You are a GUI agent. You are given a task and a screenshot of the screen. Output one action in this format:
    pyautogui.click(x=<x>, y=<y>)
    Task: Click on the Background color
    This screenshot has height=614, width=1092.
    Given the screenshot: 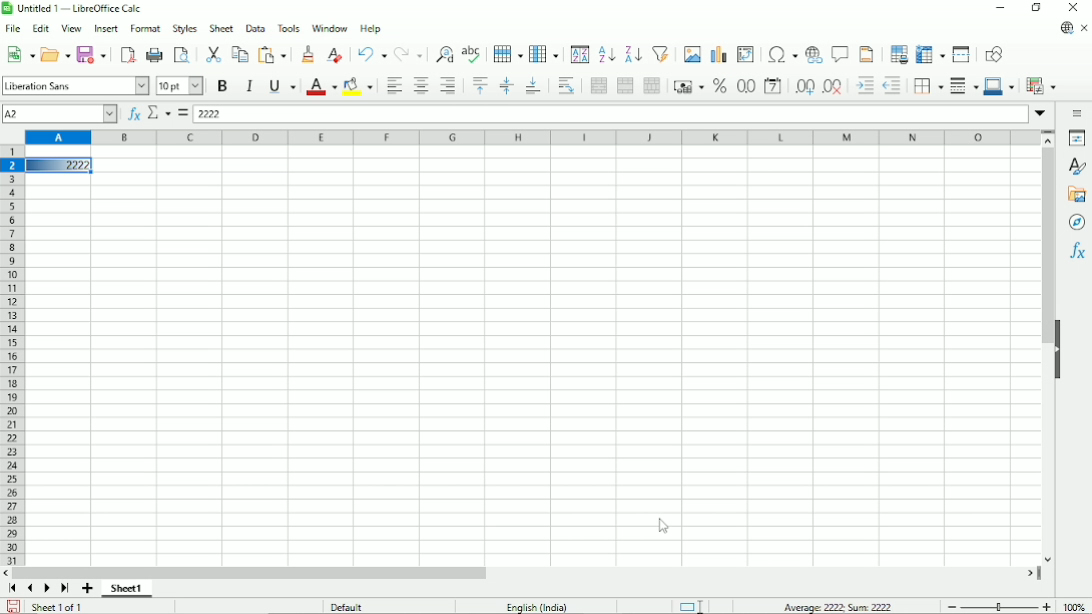 What is the action you would take?
    pyautogui.click(x=357, y=86)
    